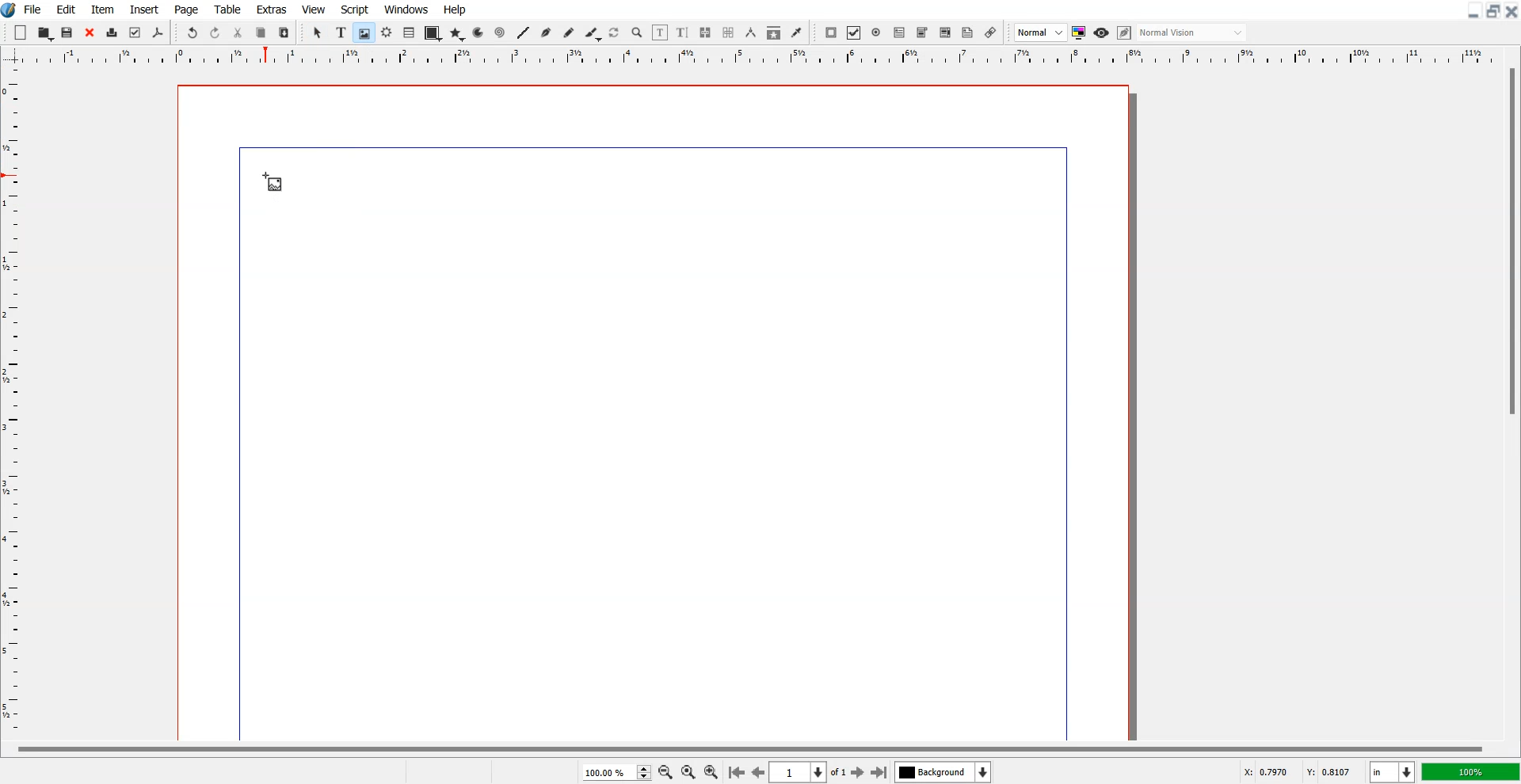 The image size is (1521, 784). What do you see at coordinates (341, 32) in the screenshot?
I see `Text Frame` at bounding box center [341, 32].